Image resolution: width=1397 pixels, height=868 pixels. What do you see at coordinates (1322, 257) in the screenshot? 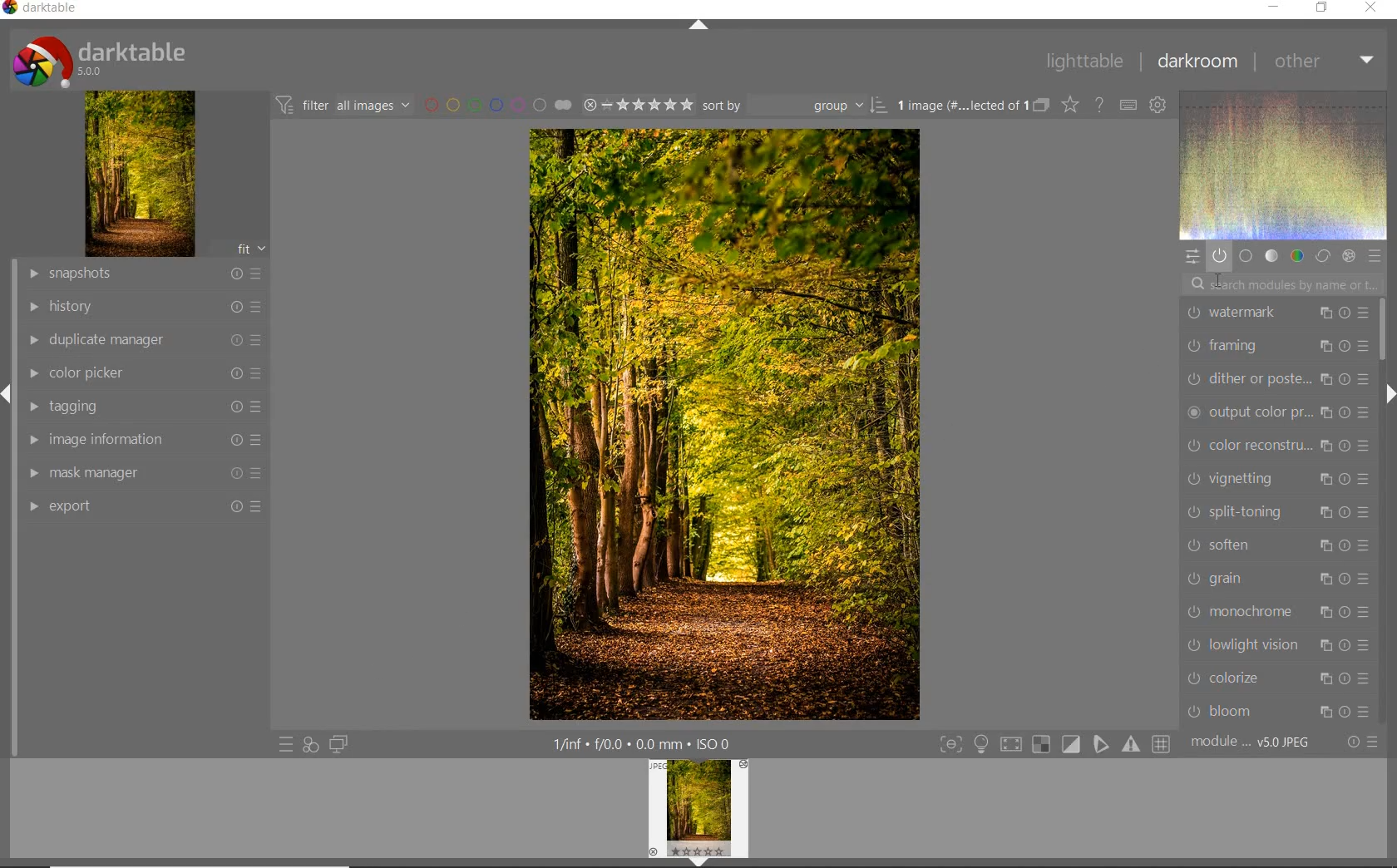
I see `correct` at bounding box center [1322, 257].